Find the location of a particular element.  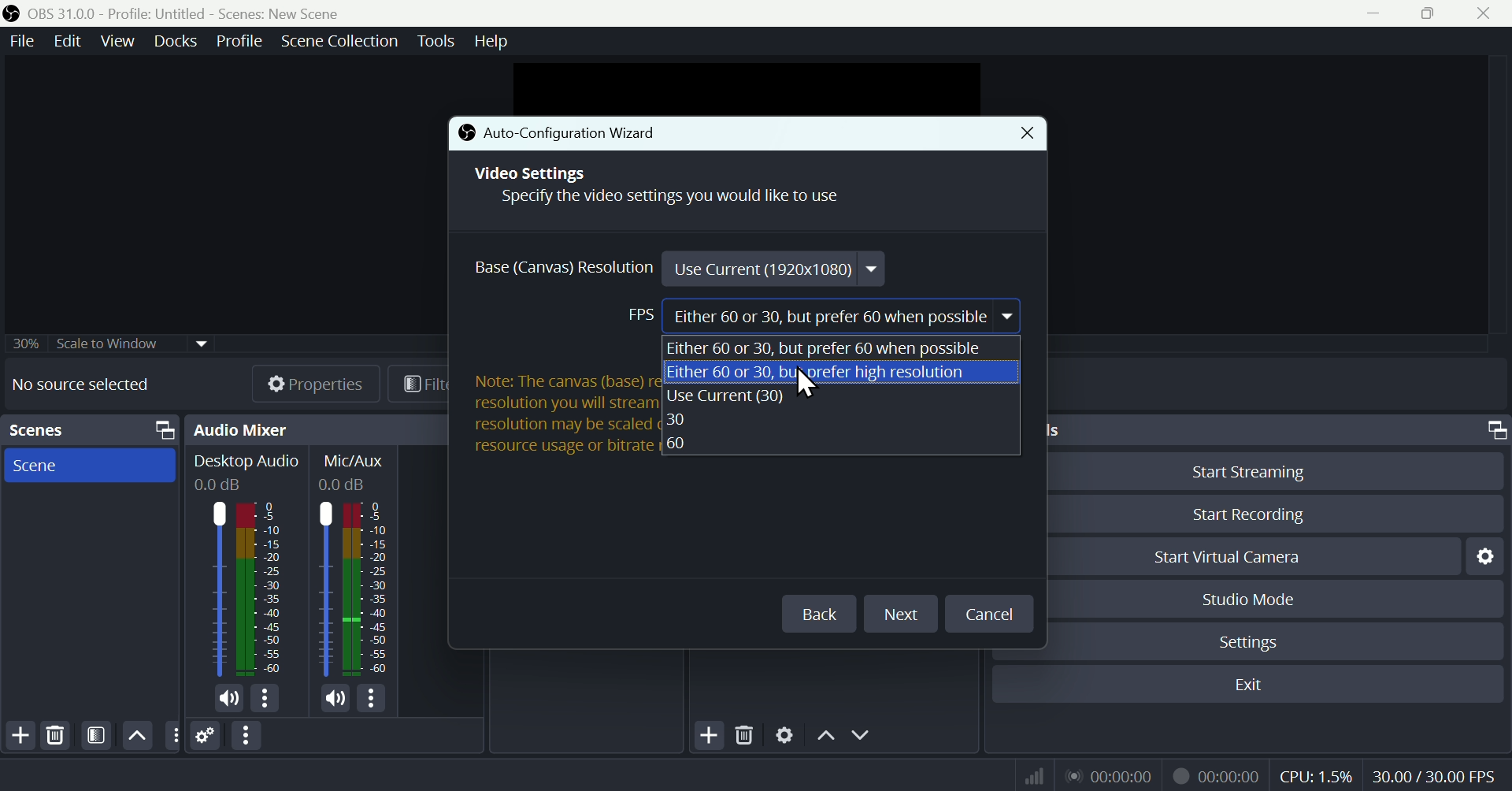

Start Recording is located at coordinates (1270, 514).